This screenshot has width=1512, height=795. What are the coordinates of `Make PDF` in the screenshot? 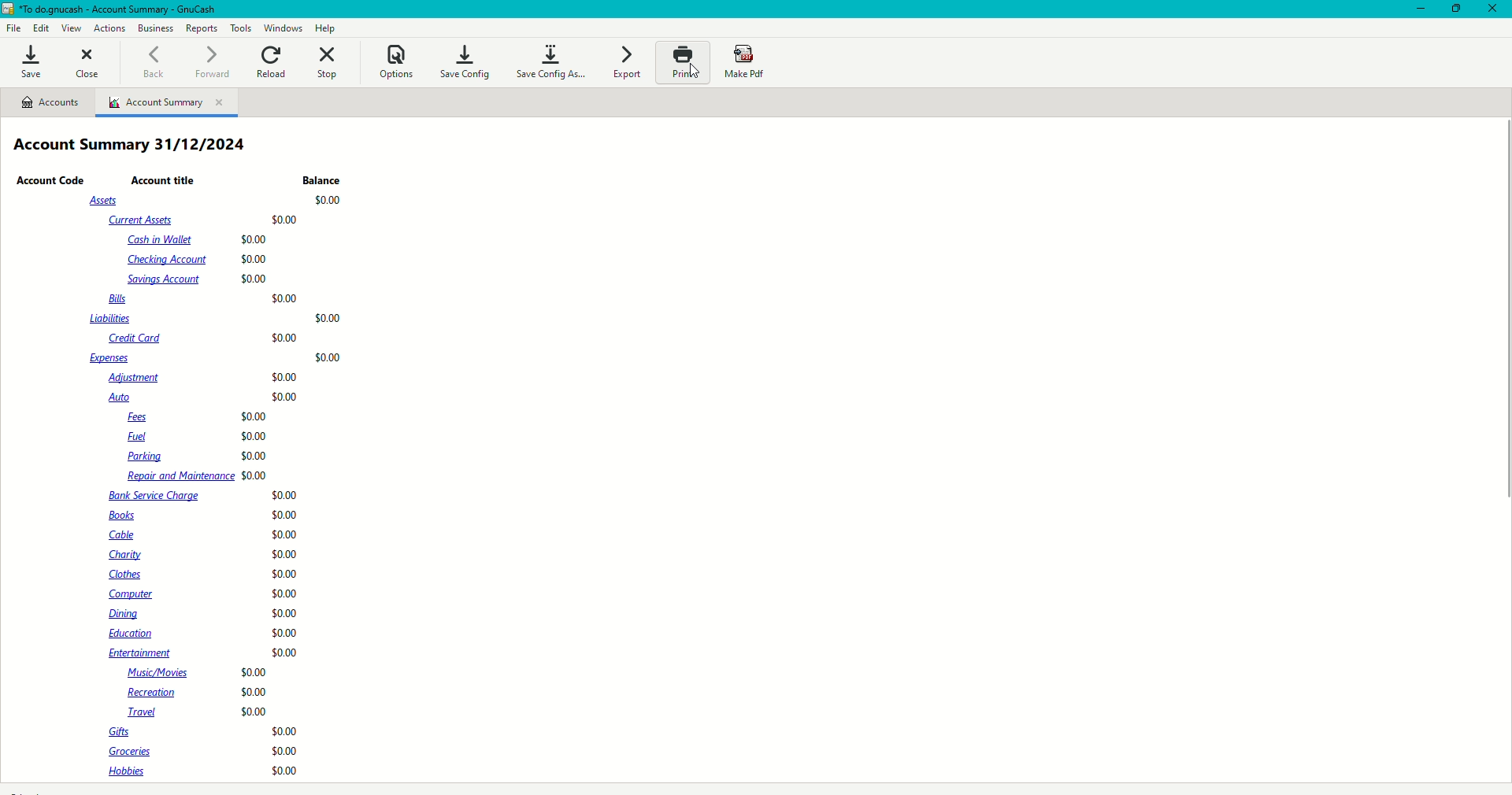 It's located at (749, 63).